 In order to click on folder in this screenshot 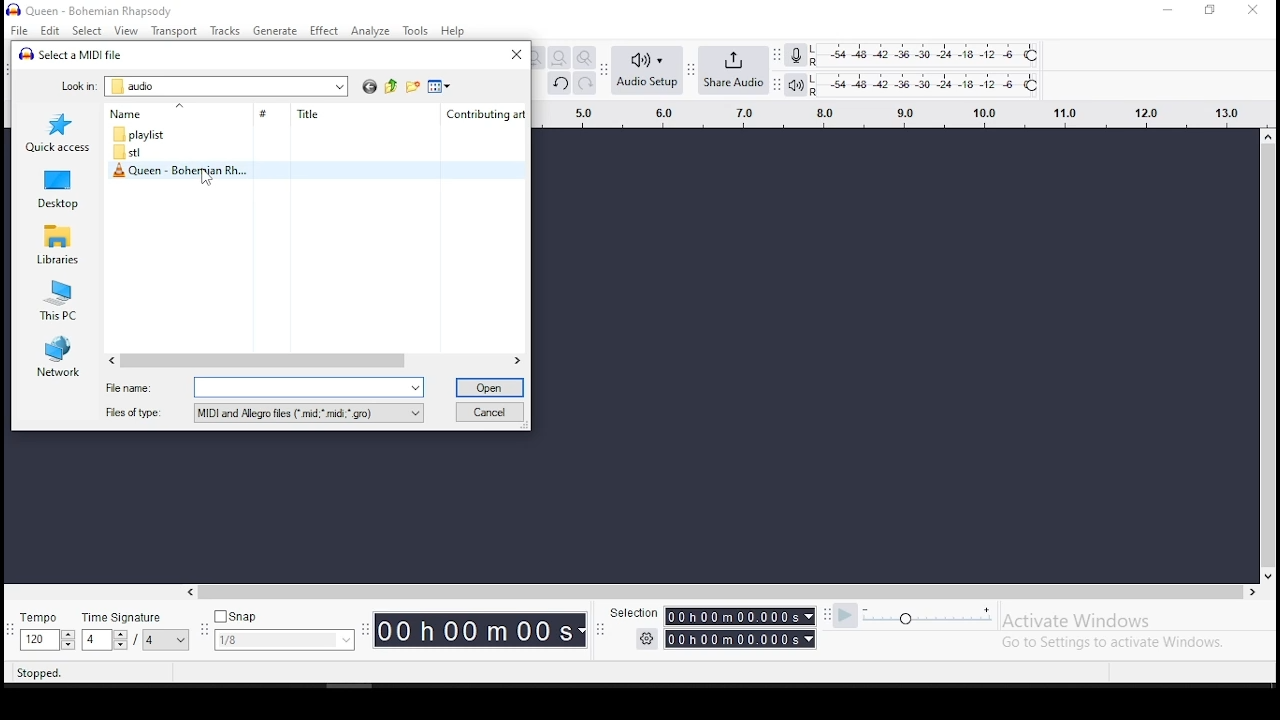, I will do `click(182, 153)`.